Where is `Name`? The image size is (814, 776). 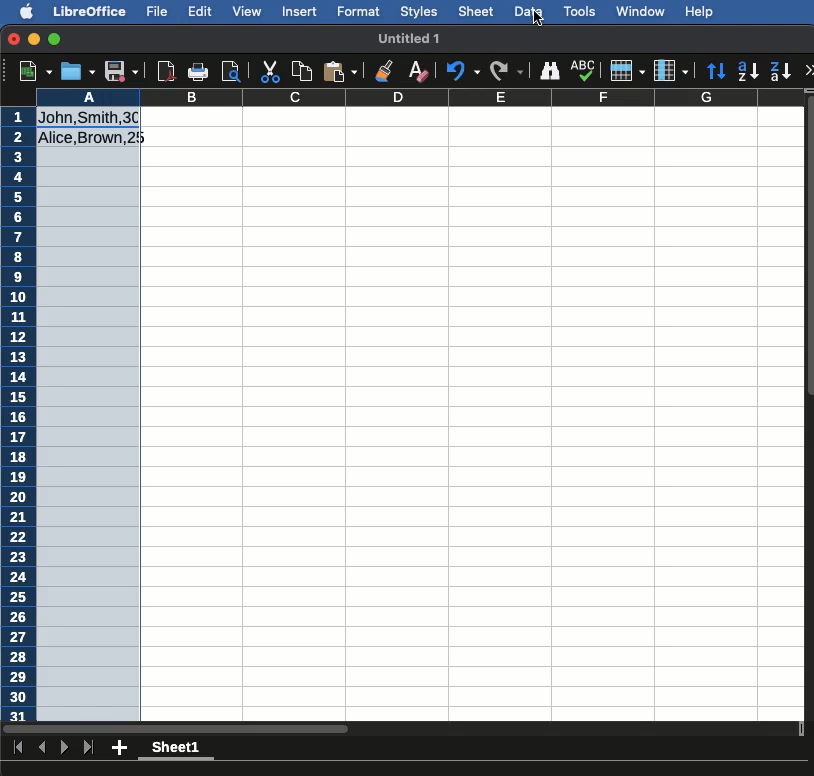
Name is located at coordinates (413, 40).